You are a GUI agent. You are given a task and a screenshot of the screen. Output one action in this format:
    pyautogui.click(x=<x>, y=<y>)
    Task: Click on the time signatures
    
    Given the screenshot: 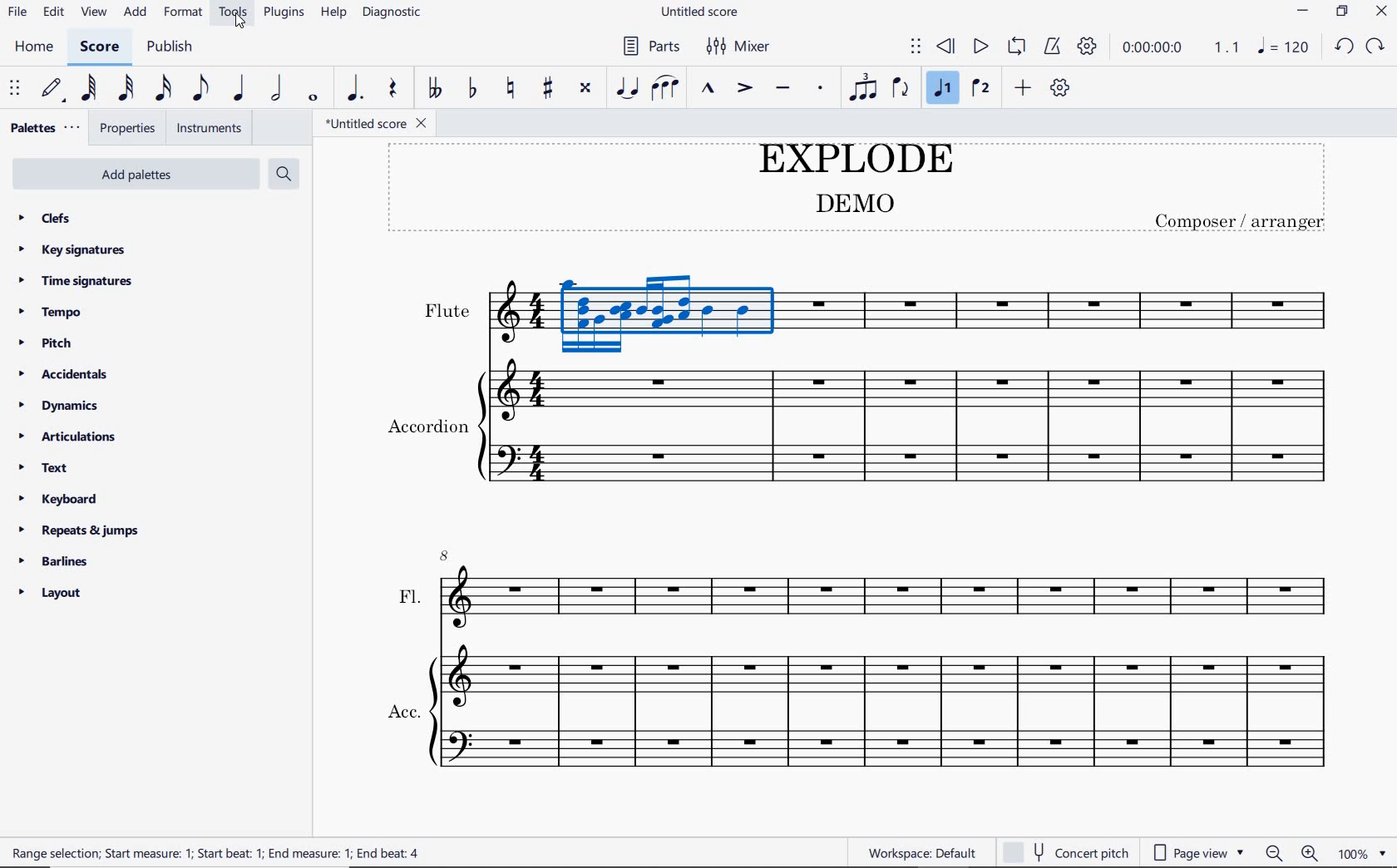 What is the action you would take?
    pyautogui.click(x=80, y=281)
    